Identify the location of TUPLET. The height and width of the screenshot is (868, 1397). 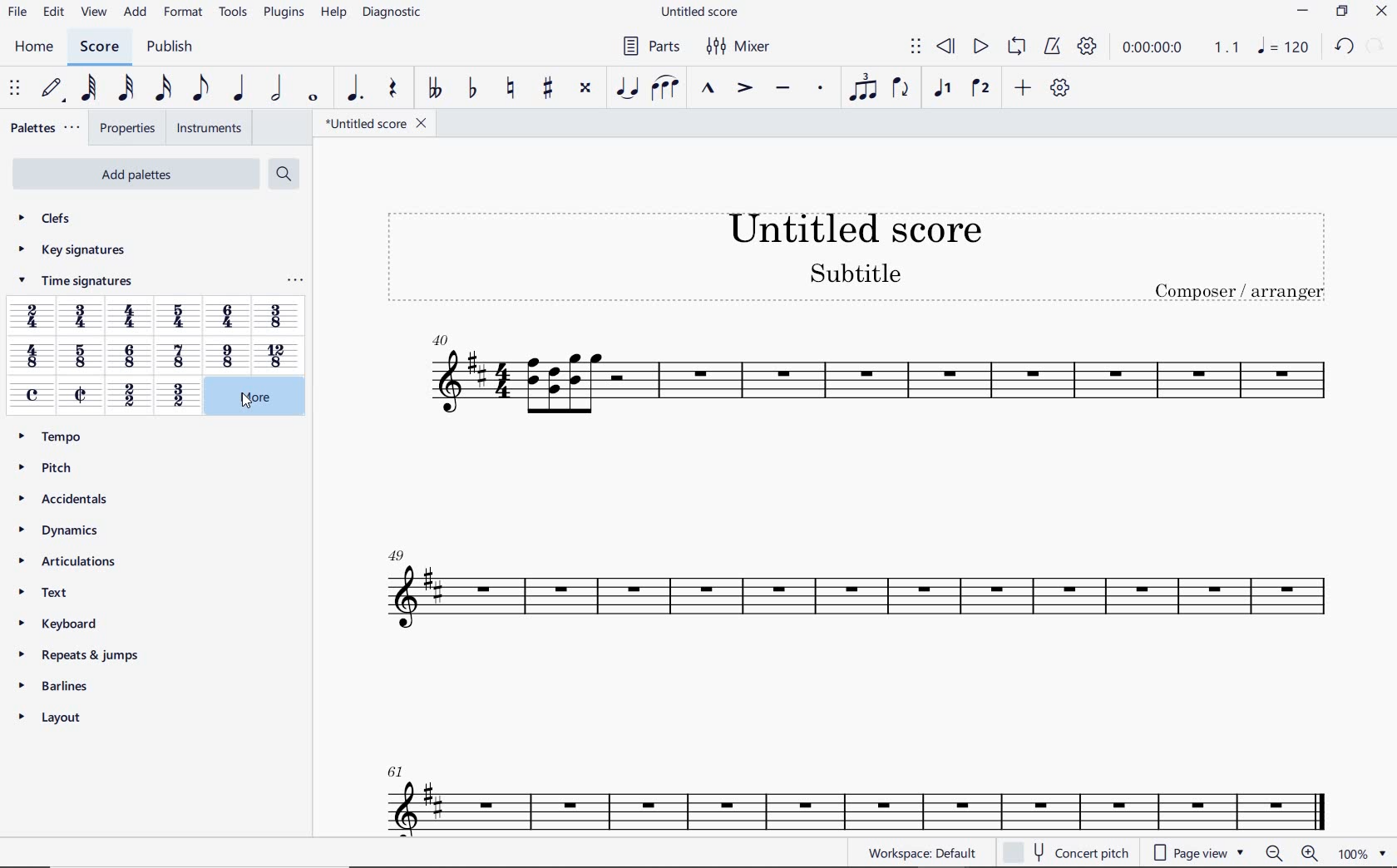
(861, 89).